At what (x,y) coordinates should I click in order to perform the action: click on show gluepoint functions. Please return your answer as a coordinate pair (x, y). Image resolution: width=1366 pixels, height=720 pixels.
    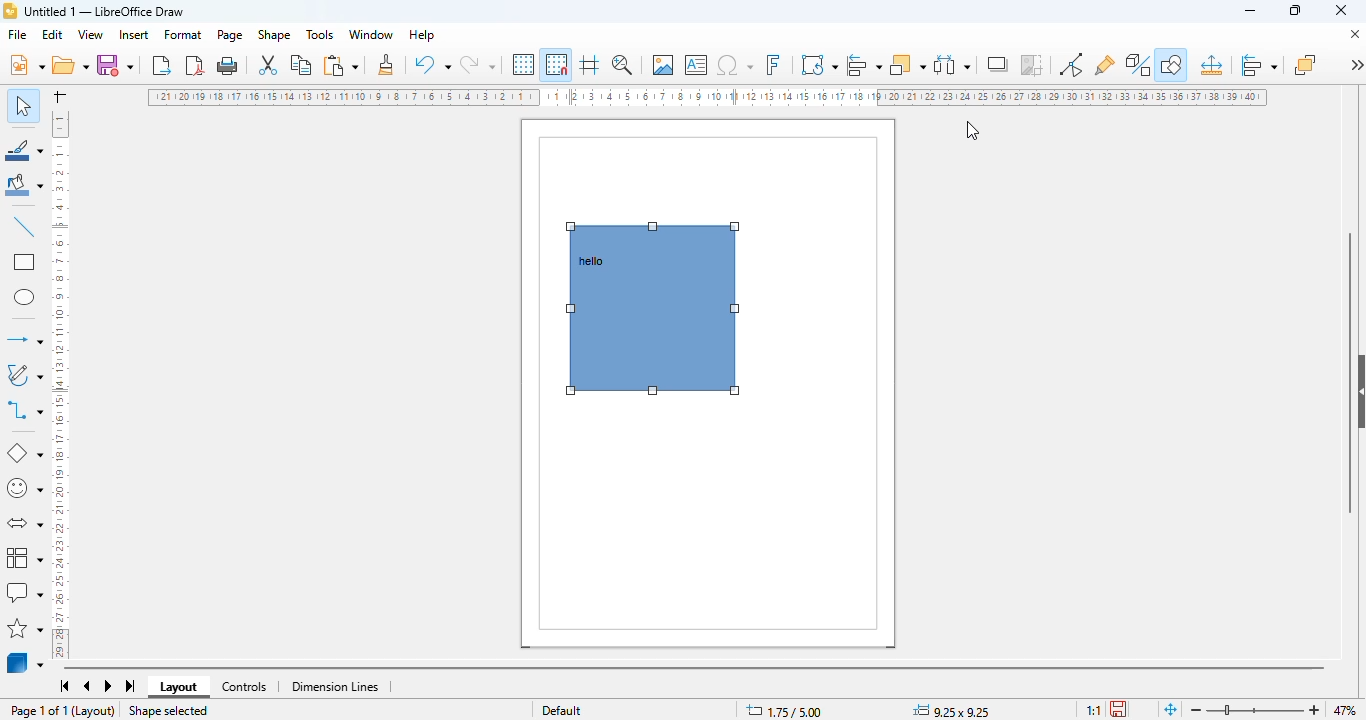
    Looking at the image, I should click on (1105, 65).